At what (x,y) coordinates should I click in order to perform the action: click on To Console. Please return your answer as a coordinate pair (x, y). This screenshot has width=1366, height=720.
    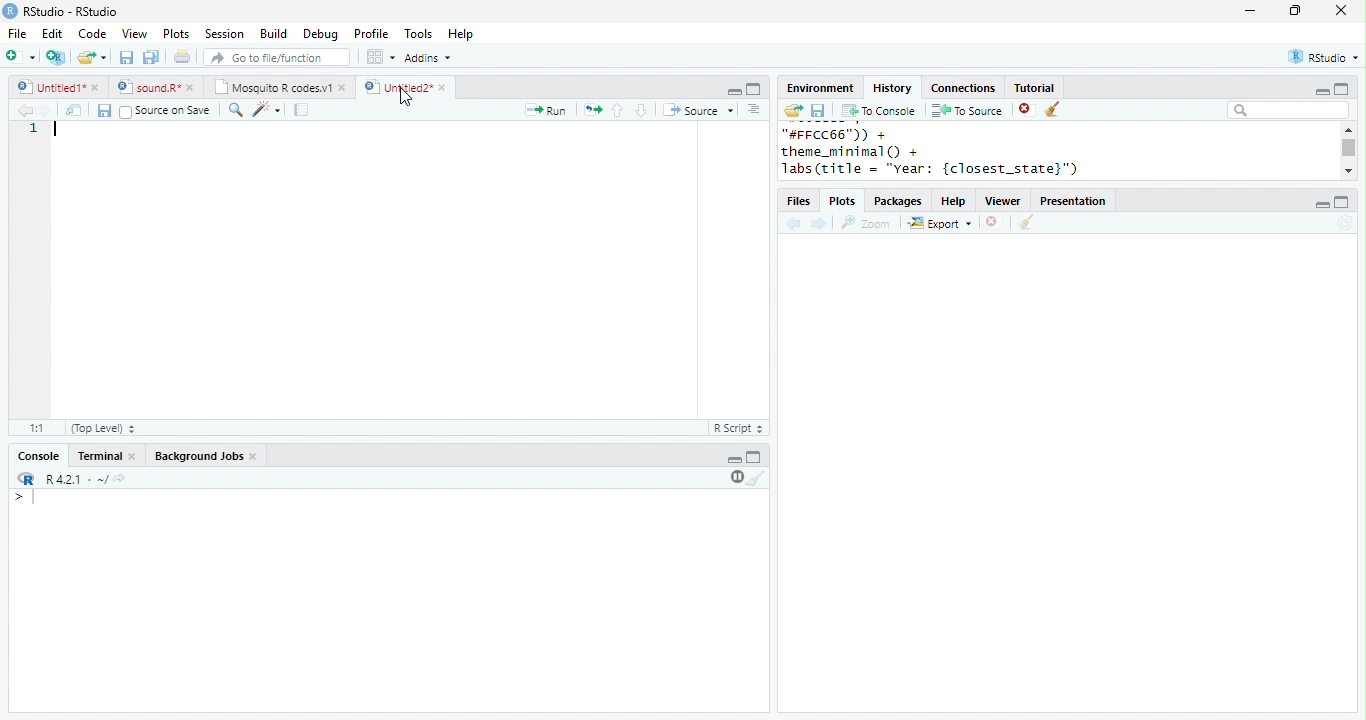
    Looking at the image, I should click on (880, 111).